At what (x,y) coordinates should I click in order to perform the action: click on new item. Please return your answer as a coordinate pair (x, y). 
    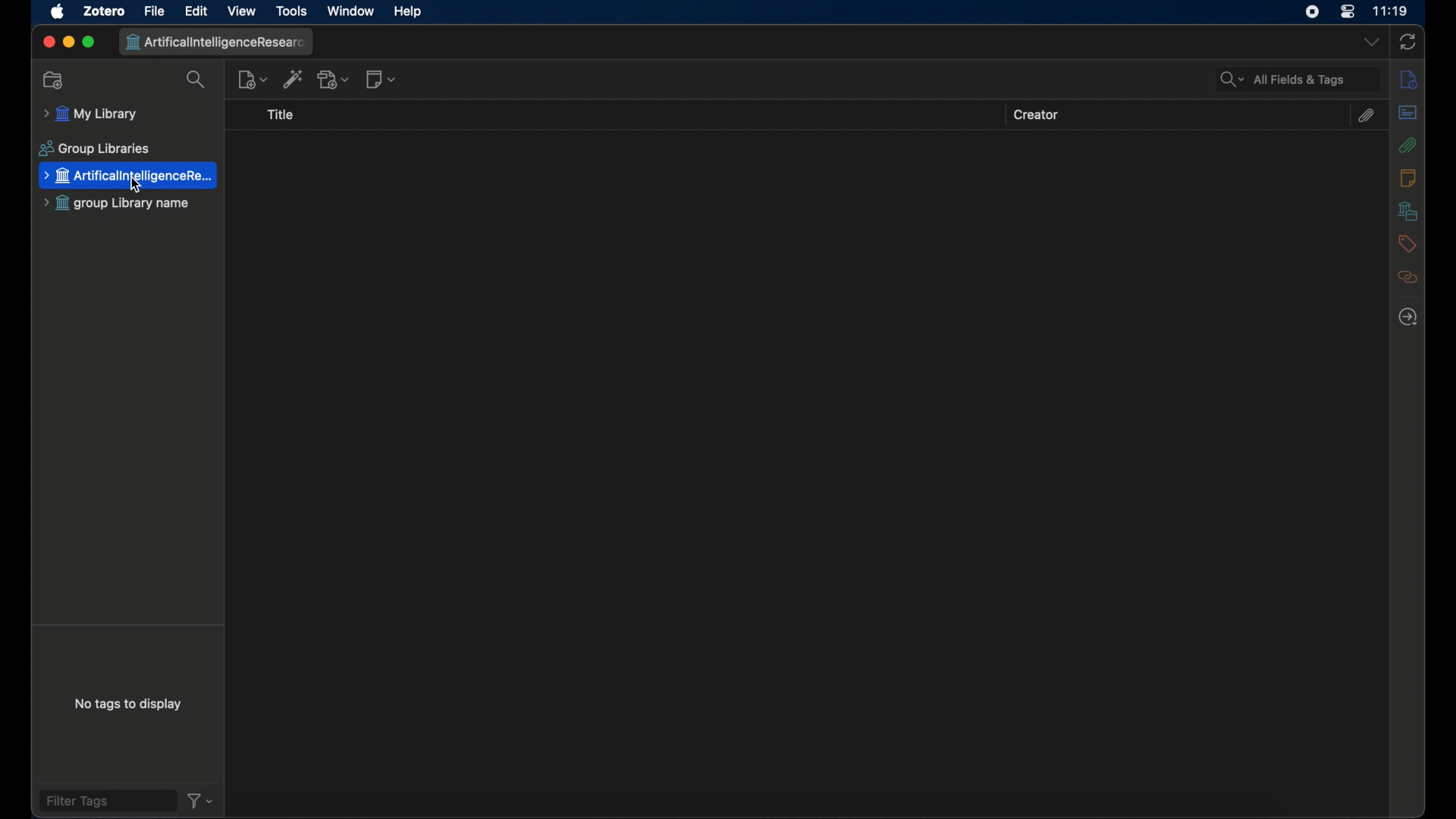
    Looking at the image, I should click on (253, 79).